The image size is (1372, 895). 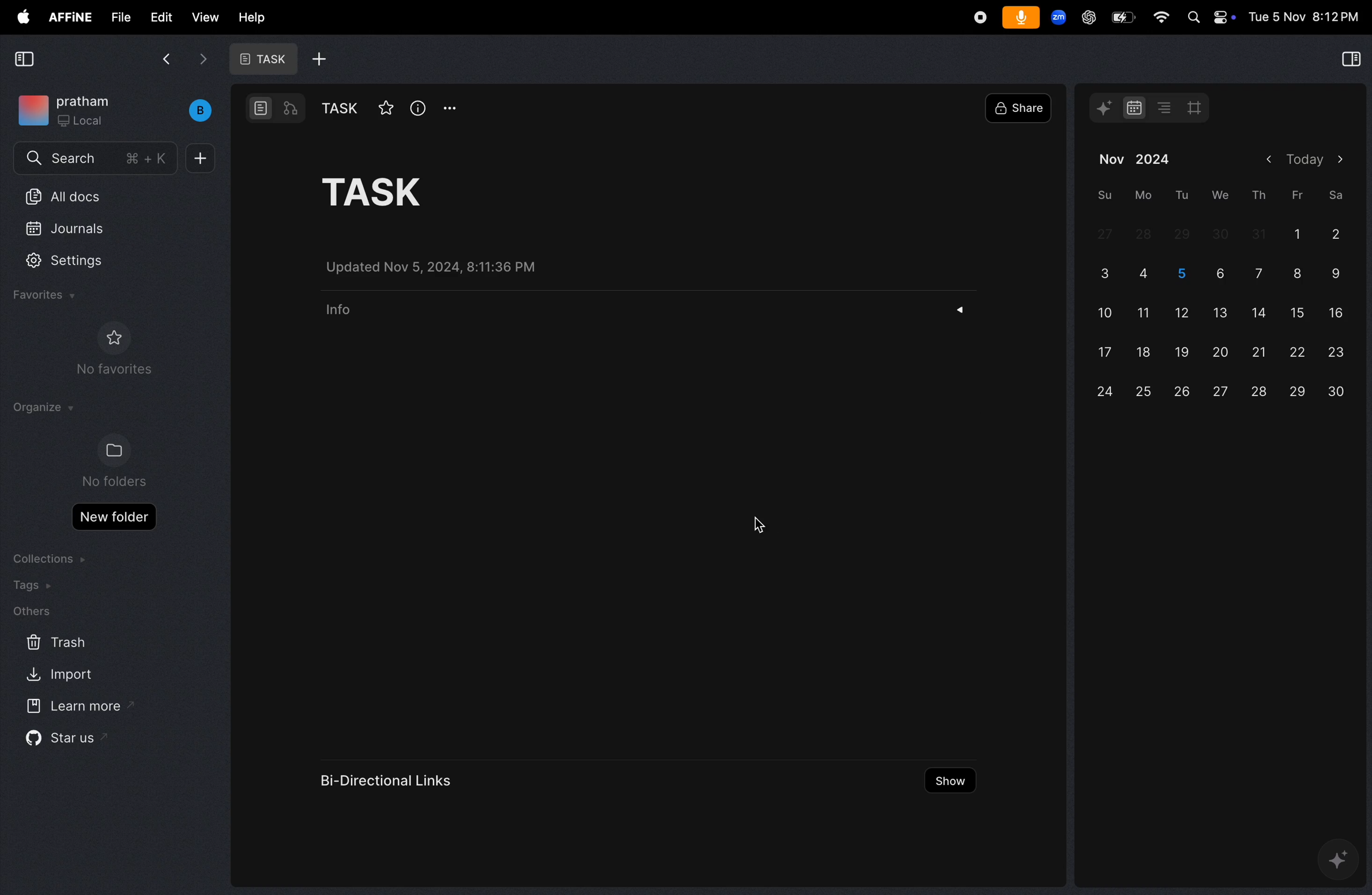 I want to click on sunday, so click(x=1103, y=195).